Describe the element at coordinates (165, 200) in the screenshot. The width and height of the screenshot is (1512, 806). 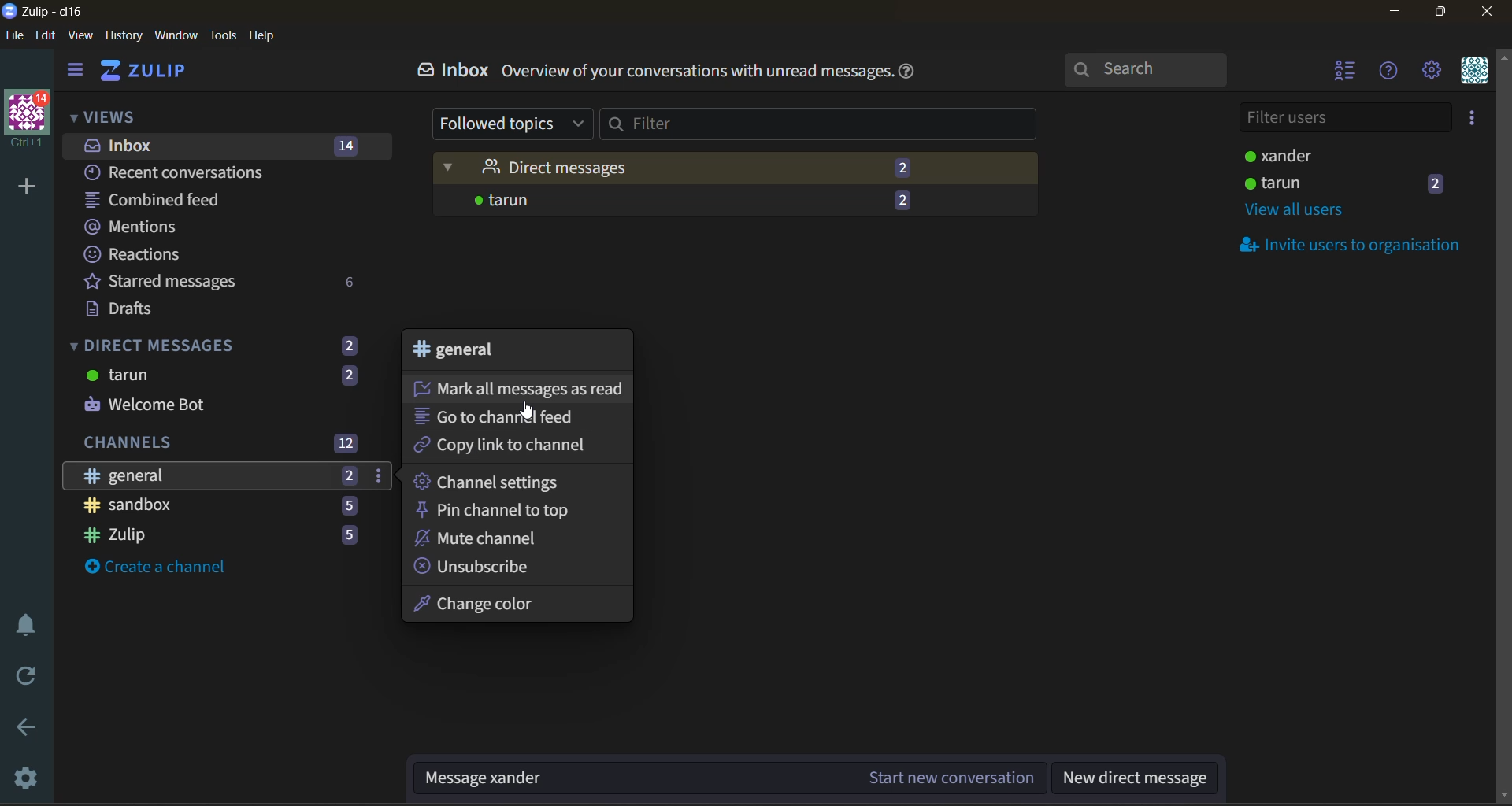
I see `combined feed` at that location.